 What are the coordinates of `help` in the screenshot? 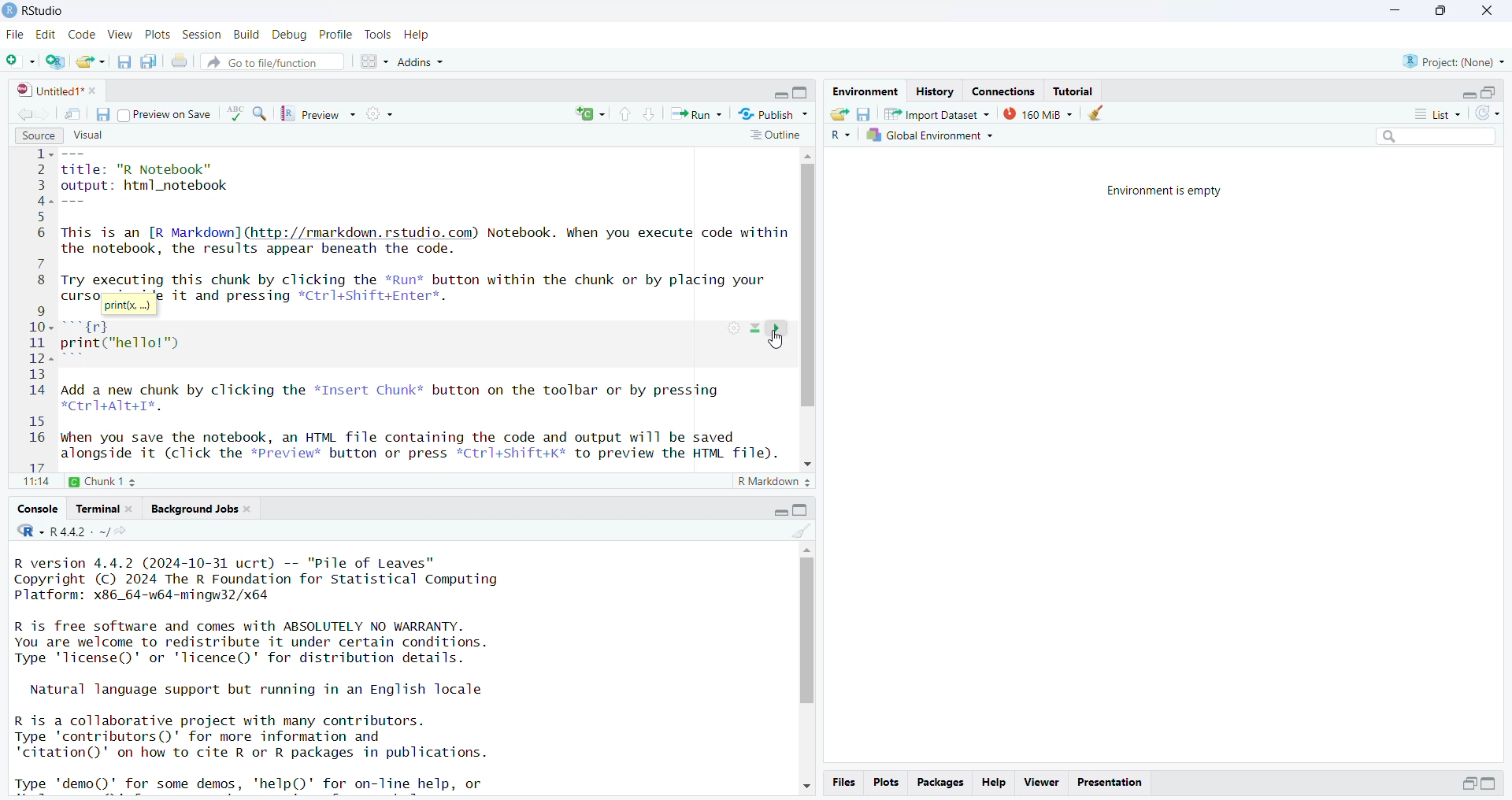 It's located at (418, 35).